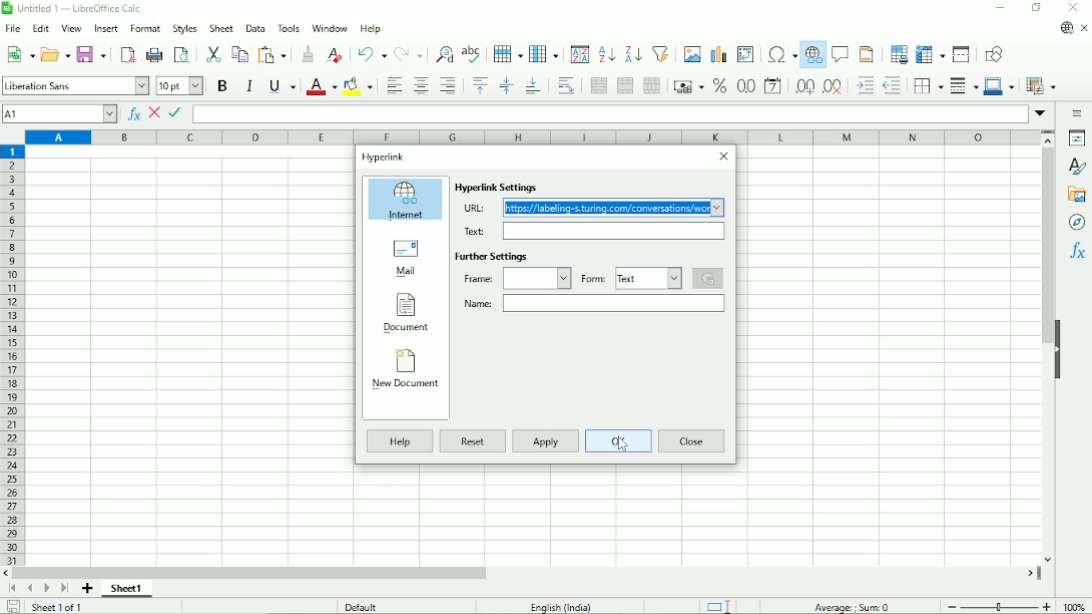  Describe the element at coordinates (607, 55) in the screenshot. I see `Sort ascending` at that location.